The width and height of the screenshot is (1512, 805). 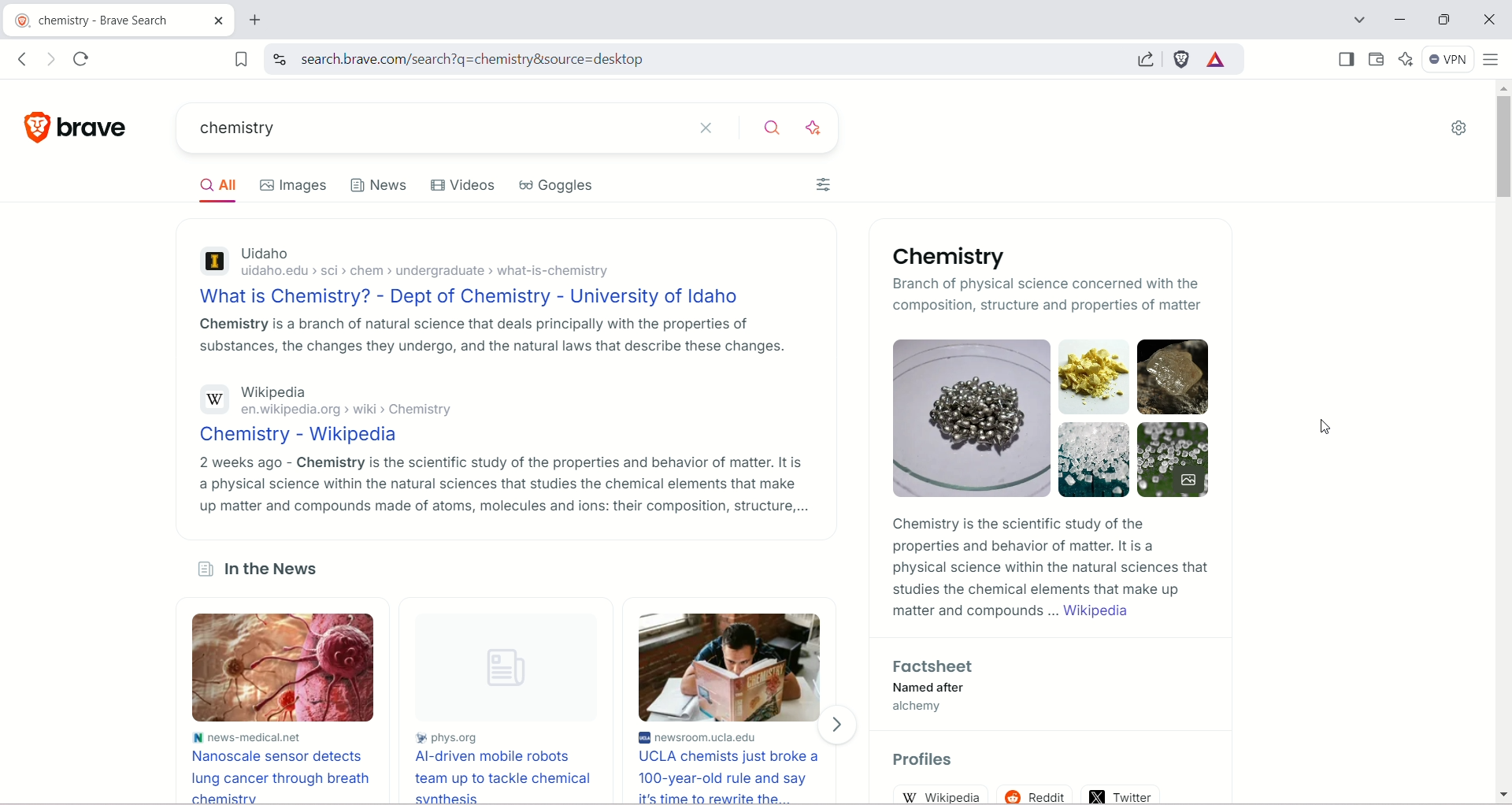 I want to click on Reddit profile link, so click(x=1035, y=793).